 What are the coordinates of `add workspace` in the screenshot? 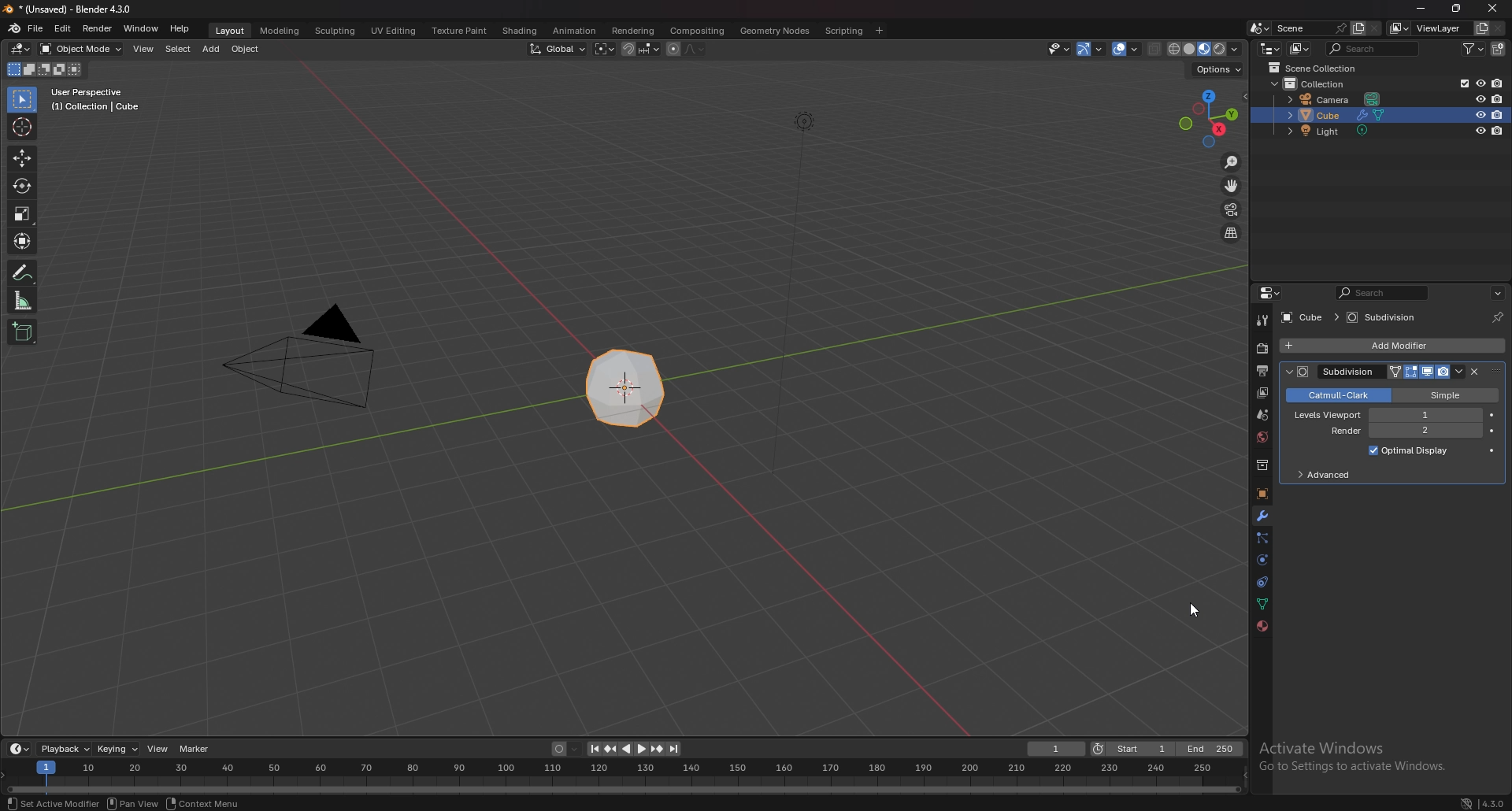 It's located at (879, 31).